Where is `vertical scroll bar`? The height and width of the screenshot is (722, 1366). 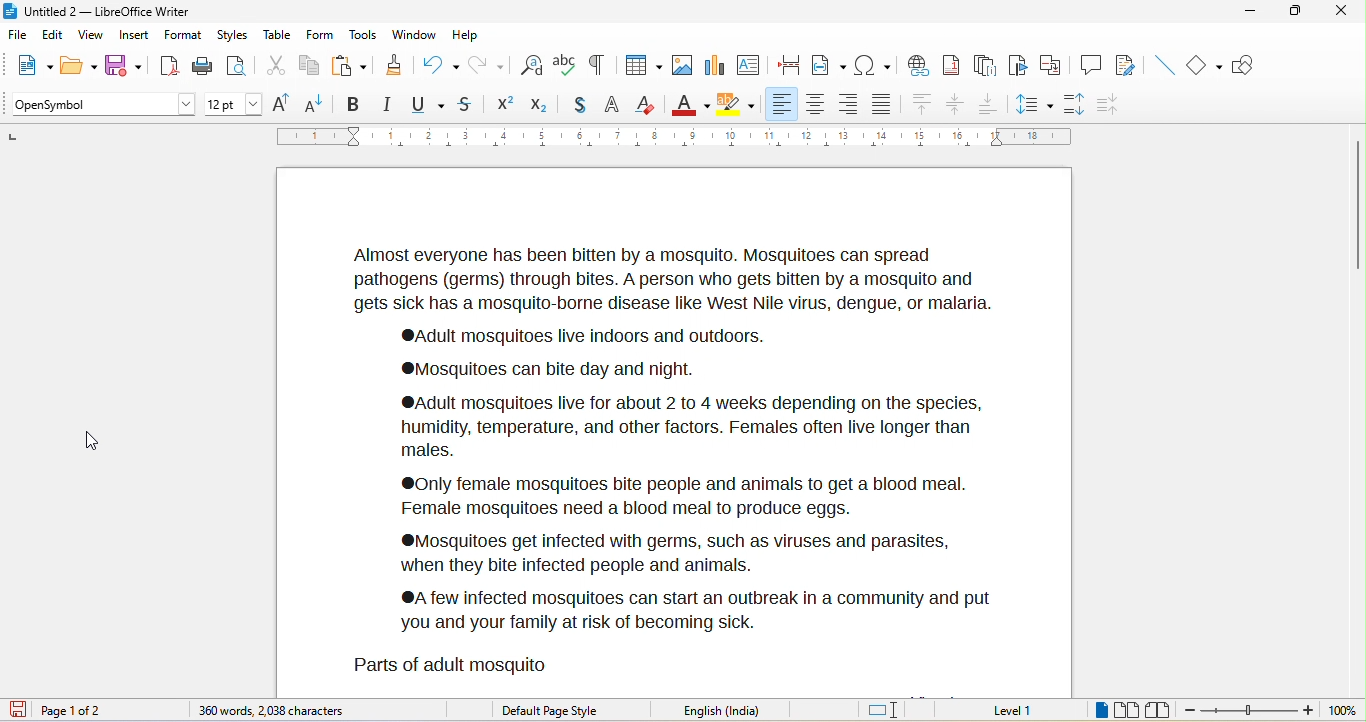
vertical scroll bar is located at coordinates (1357, 205).